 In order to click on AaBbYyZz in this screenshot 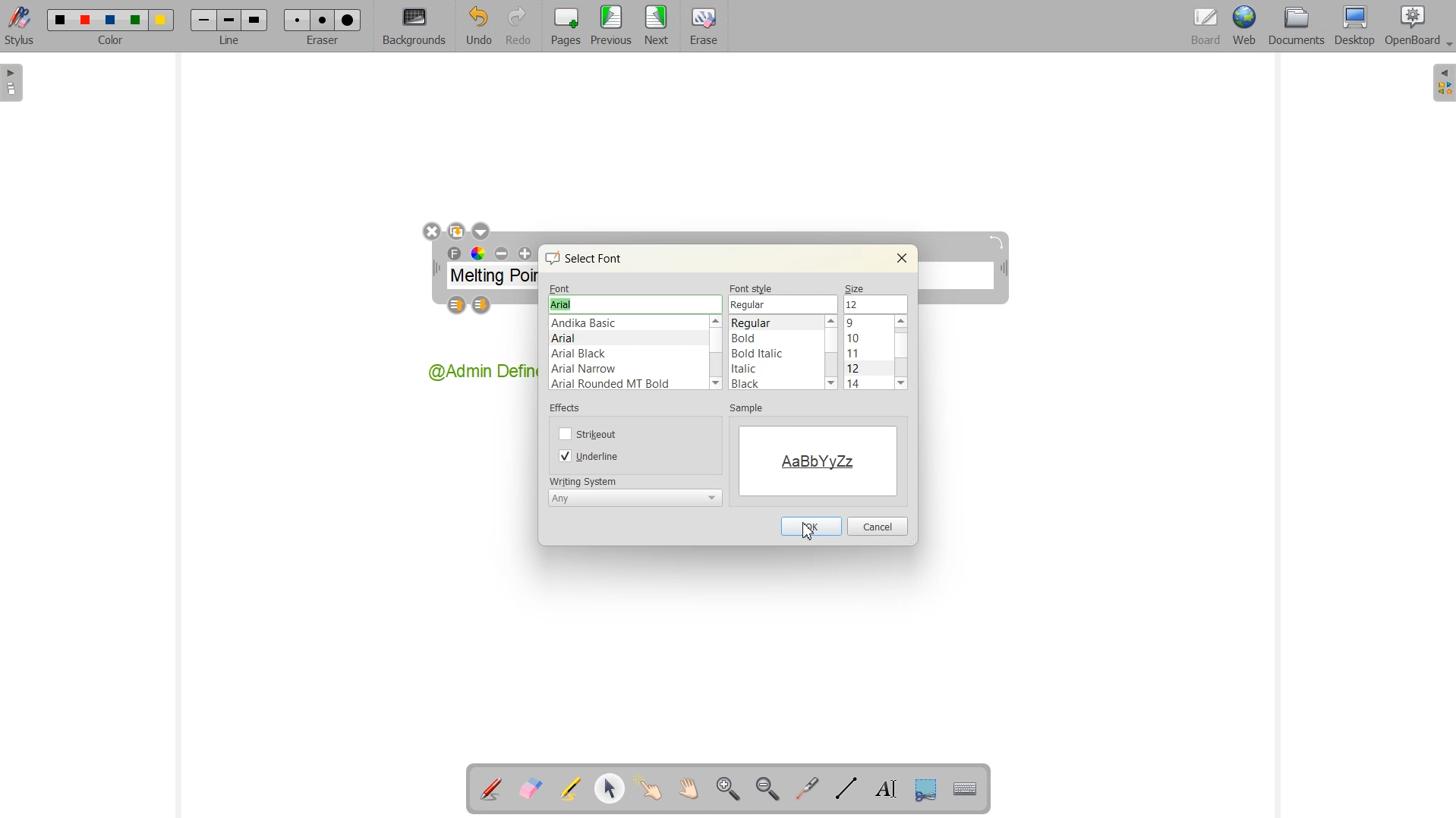, I will do `click(818, 459)`.